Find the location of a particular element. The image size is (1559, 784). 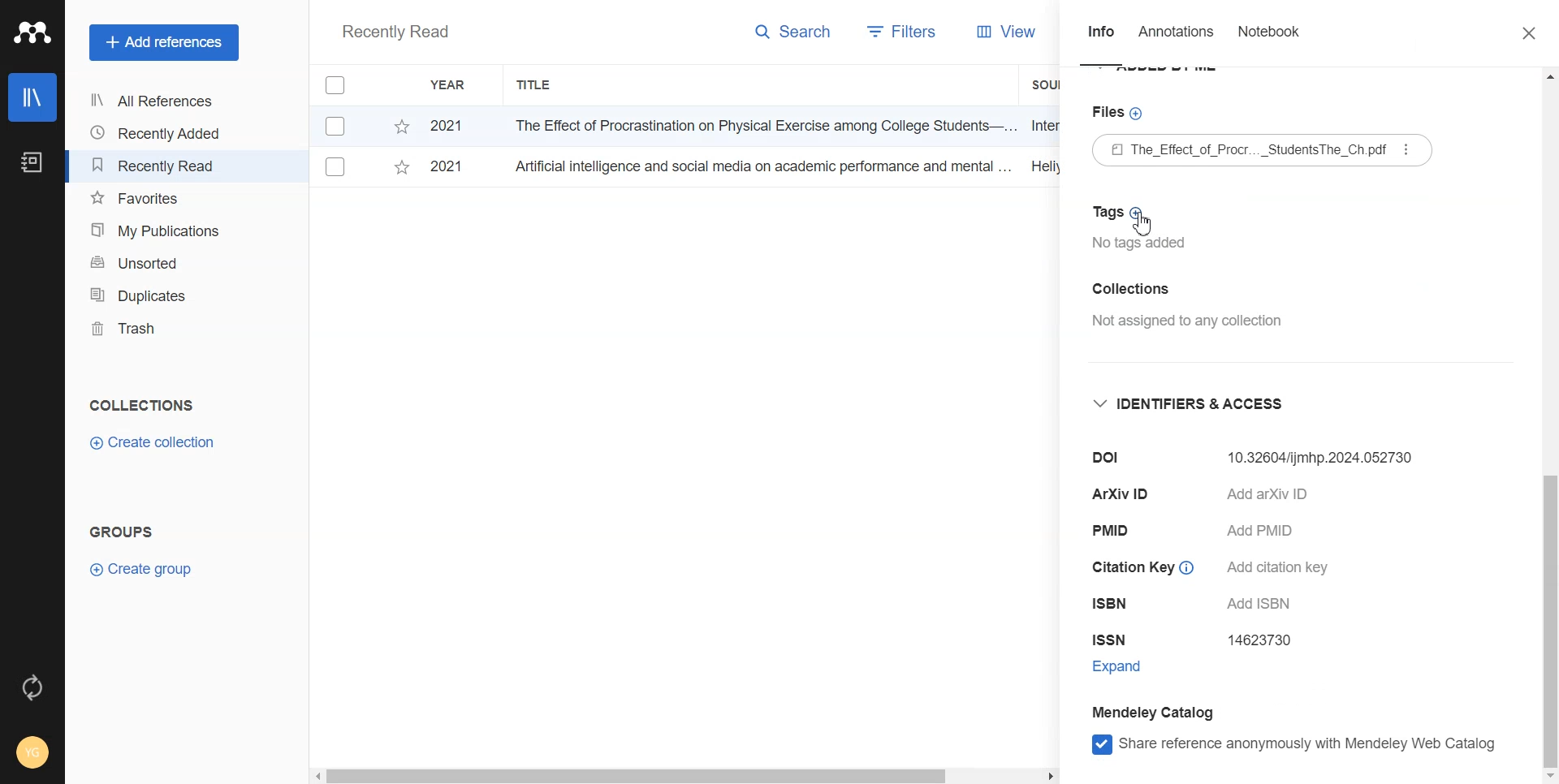

Notebook is located at coordinates (1268, 35).